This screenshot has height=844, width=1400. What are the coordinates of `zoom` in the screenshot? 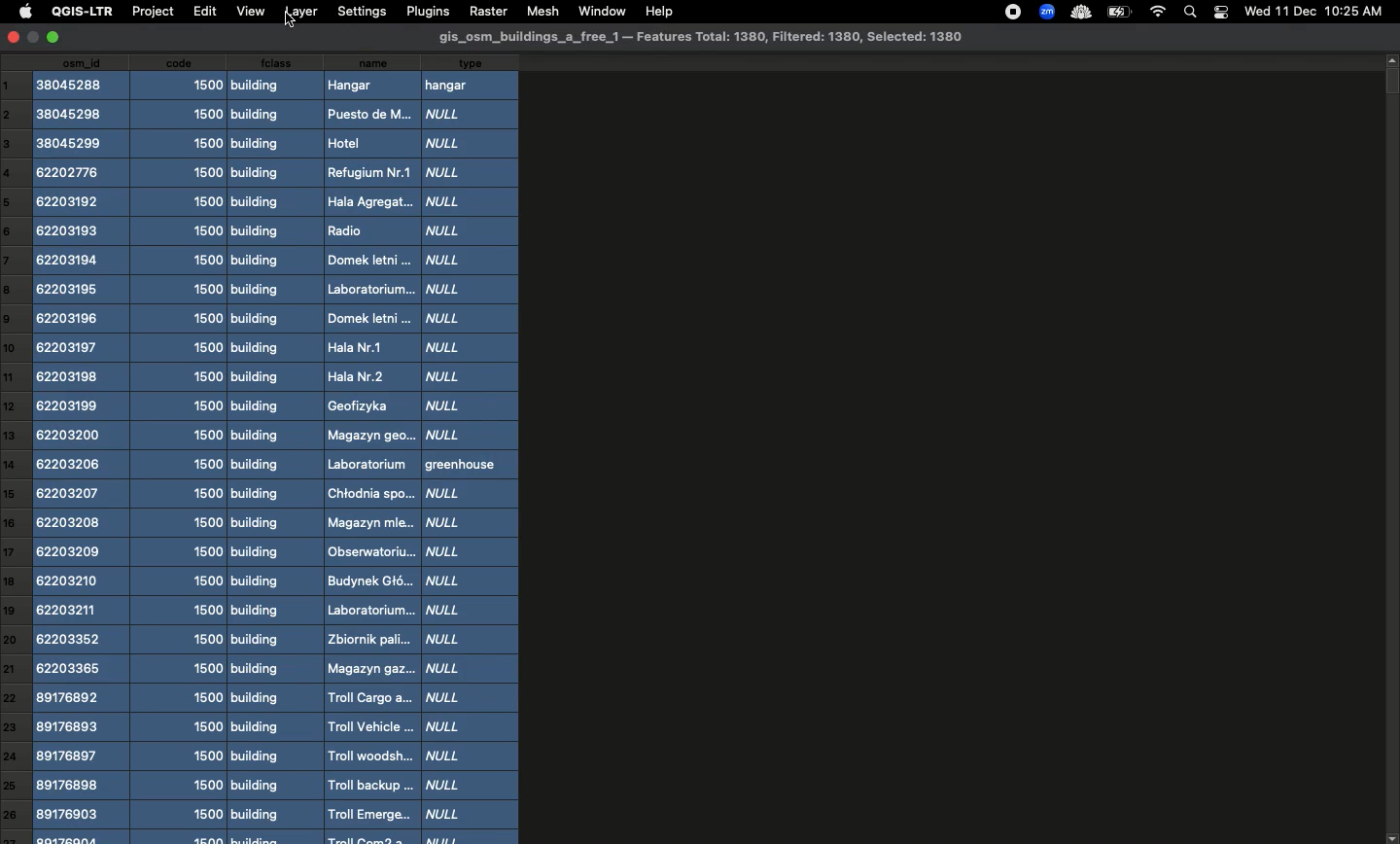 It's located at (1045, 11).